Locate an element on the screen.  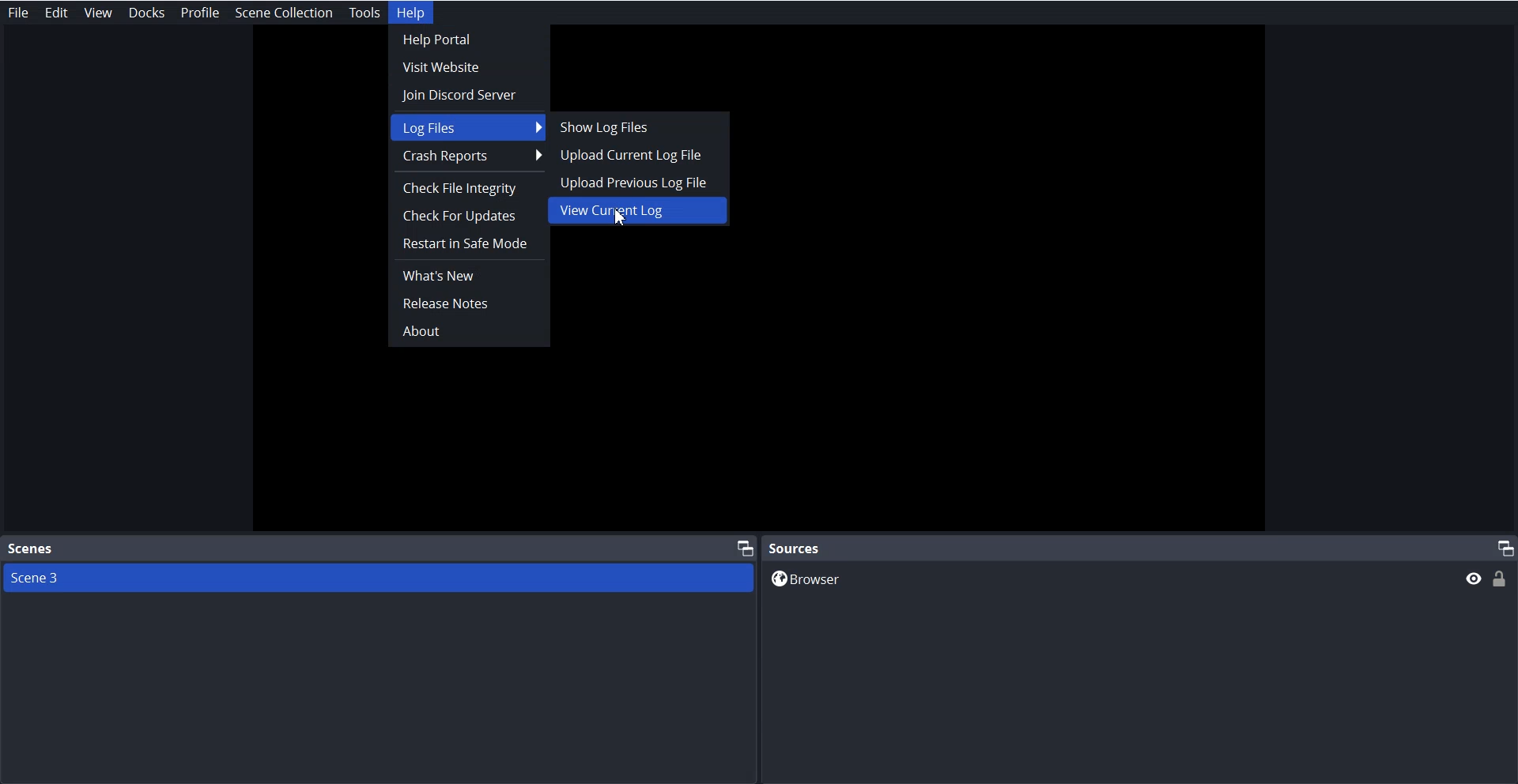
Show Log Files is located at coordinates (632, 126).